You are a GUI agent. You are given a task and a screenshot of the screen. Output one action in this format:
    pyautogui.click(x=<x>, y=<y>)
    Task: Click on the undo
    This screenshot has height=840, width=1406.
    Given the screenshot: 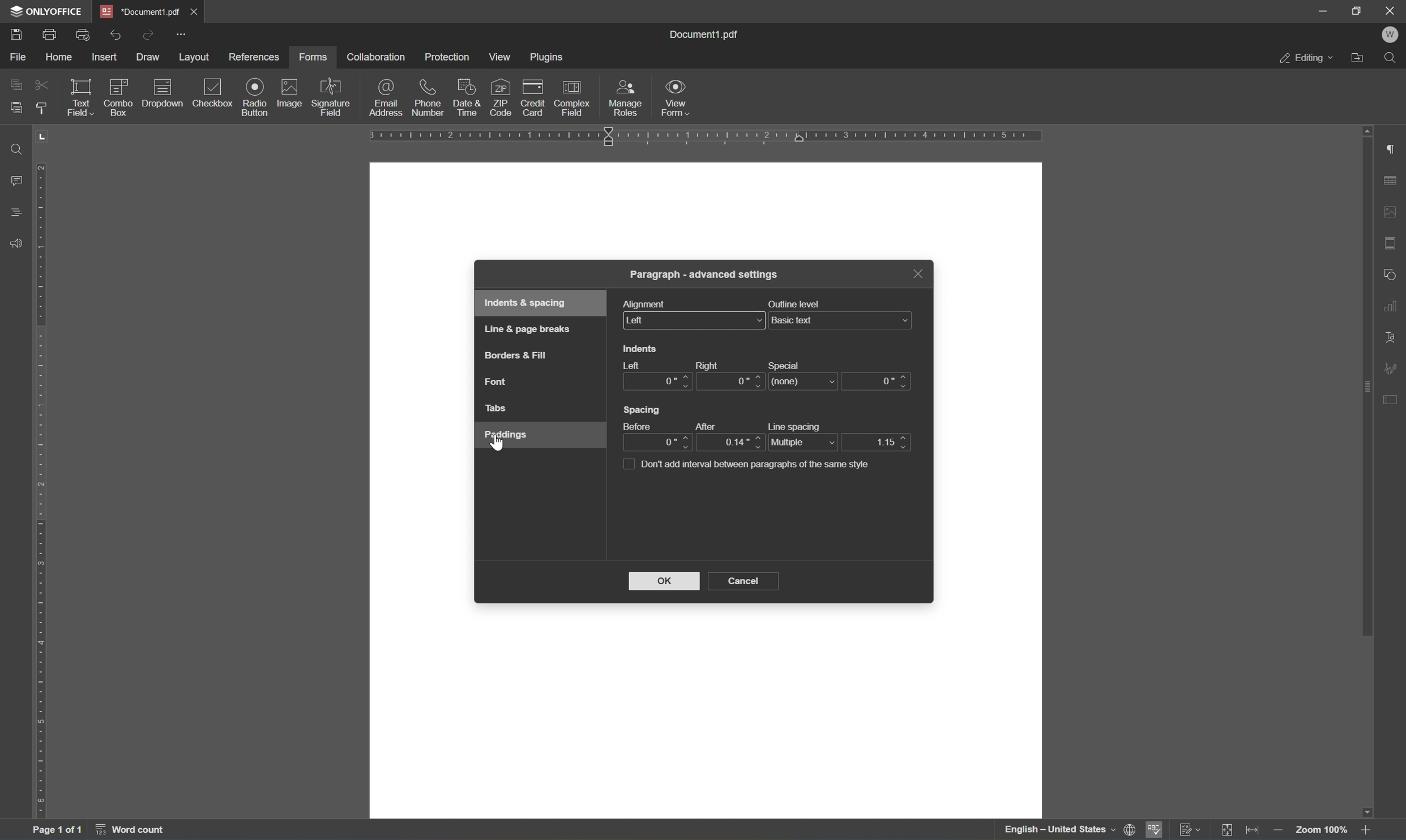 What is the action you would take?
    pyautogui.click(x=117, y=33)
    